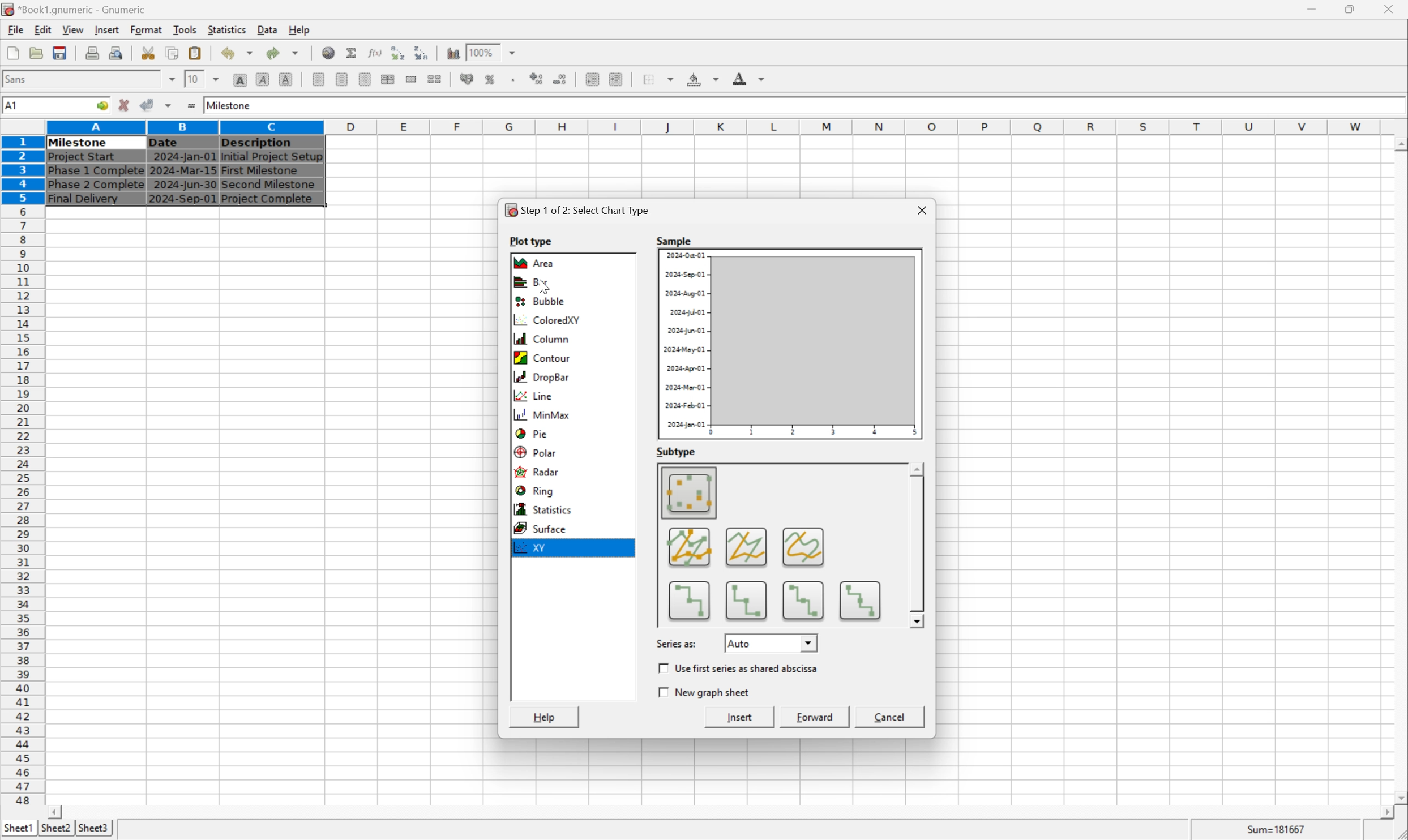 Image resolution: width=1408 pixels, height=840 pixels. What do you see at coordinates (700, 77) in the screenshot?
I see `highlight color` at bounding box center [700, 77].